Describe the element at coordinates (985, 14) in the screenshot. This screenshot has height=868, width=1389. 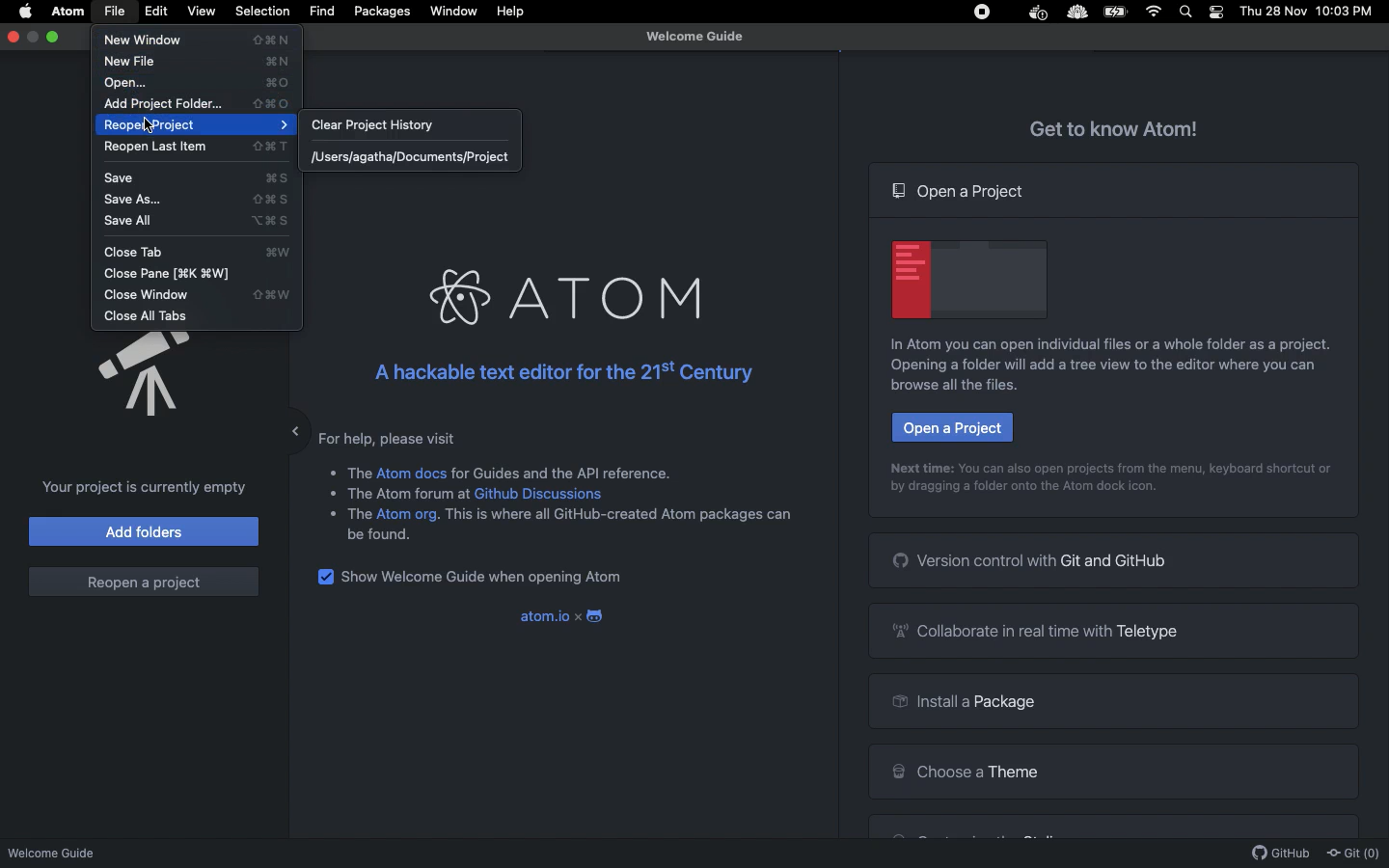
I see `stops` at that location.